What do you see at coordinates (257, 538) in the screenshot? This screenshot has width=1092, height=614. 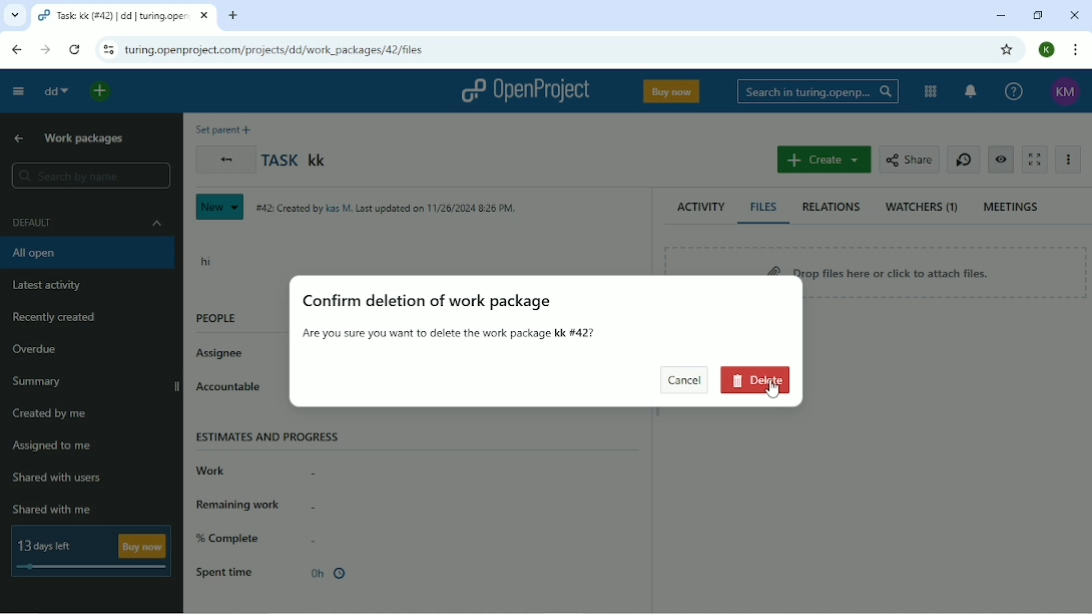 I see `% Complete` at bounding box center [257, 538].